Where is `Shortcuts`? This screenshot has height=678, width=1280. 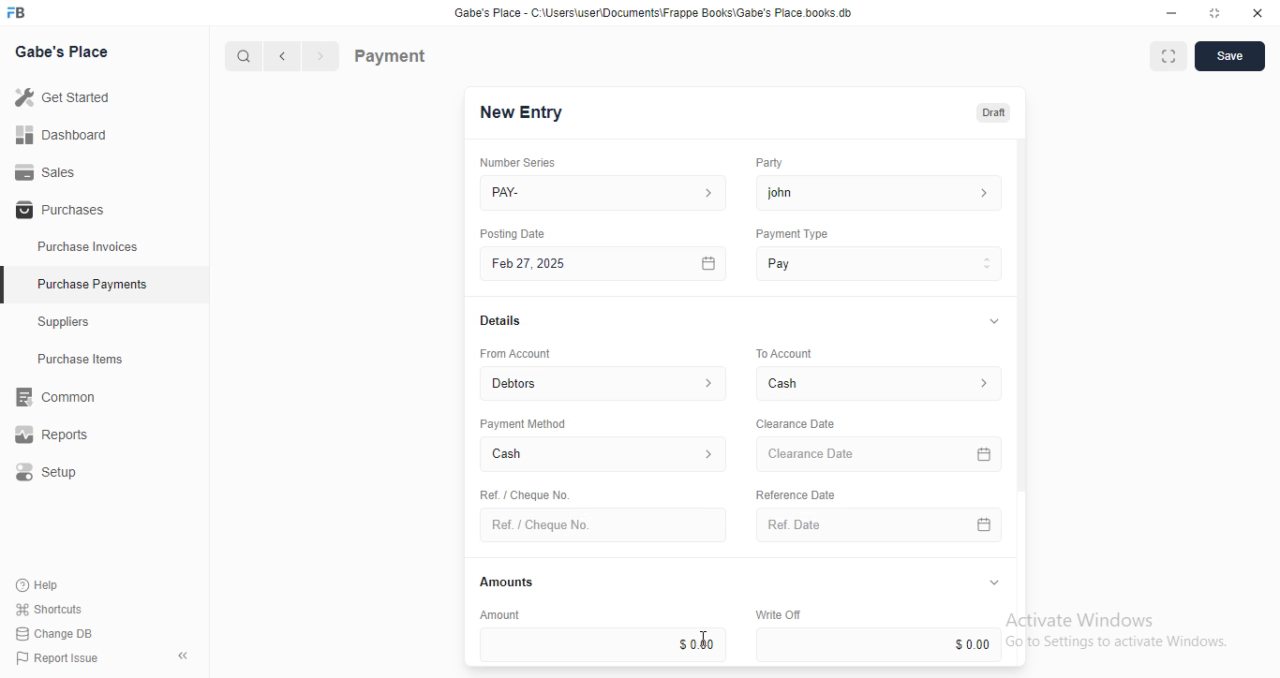
Shortcuts is located at coordinates (47, 610).